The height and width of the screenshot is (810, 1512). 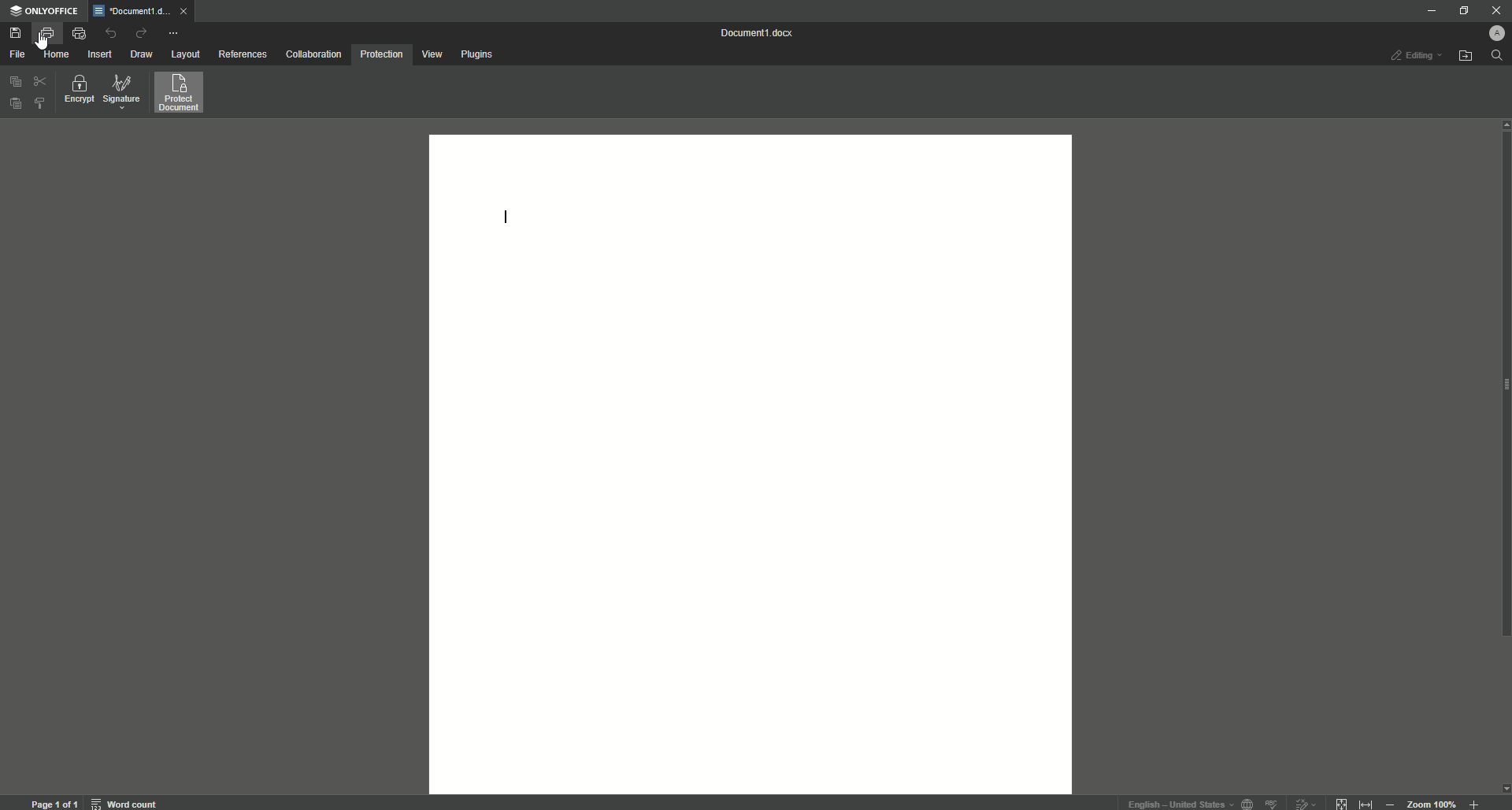 What do you see at coordinates (243, 54) in the screenshot?
I see `References` at bounding box center [243, 54].